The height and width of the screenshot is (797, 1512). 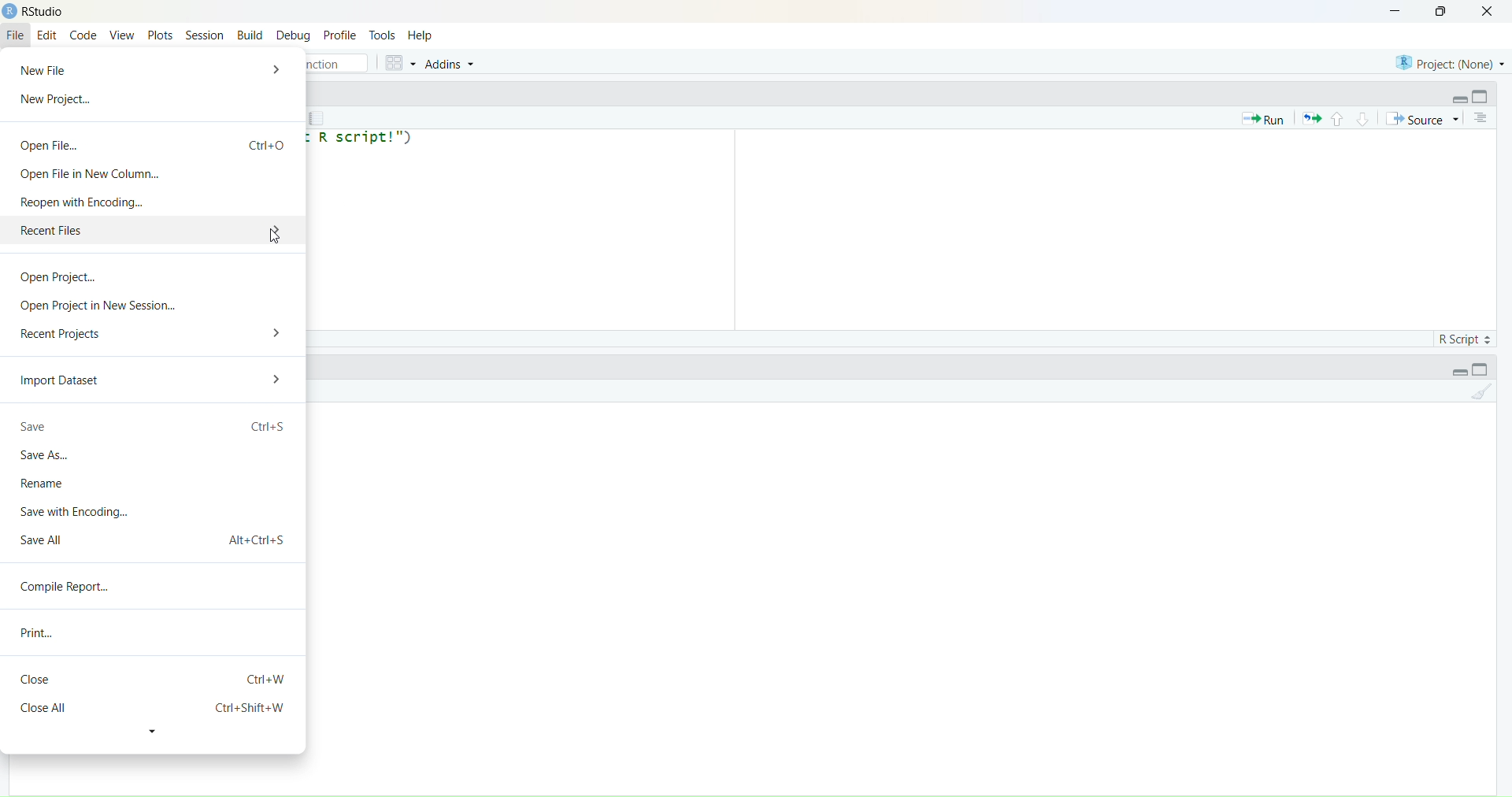 What do you see at coordinates (150, 708) in the screenshot?
I see `Close All Ctrl+Shift+W` at bounding box center [150, 708].